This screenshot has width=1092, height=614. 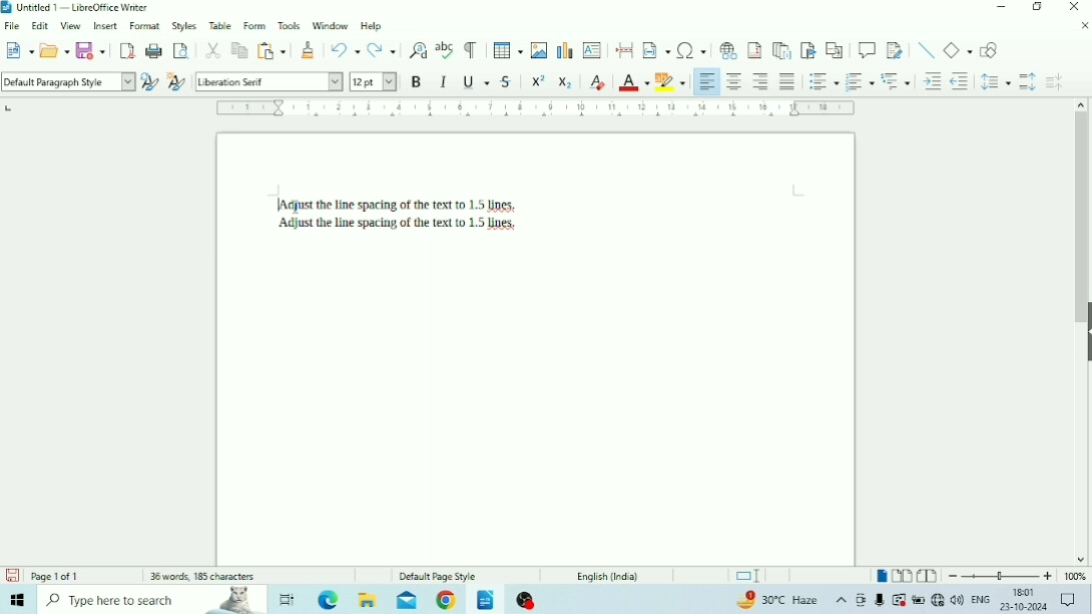 What do you see at coordinates (1077, 576) in the screenshot?
I see `Zoom Factor` at bounding box center [1077, 576].